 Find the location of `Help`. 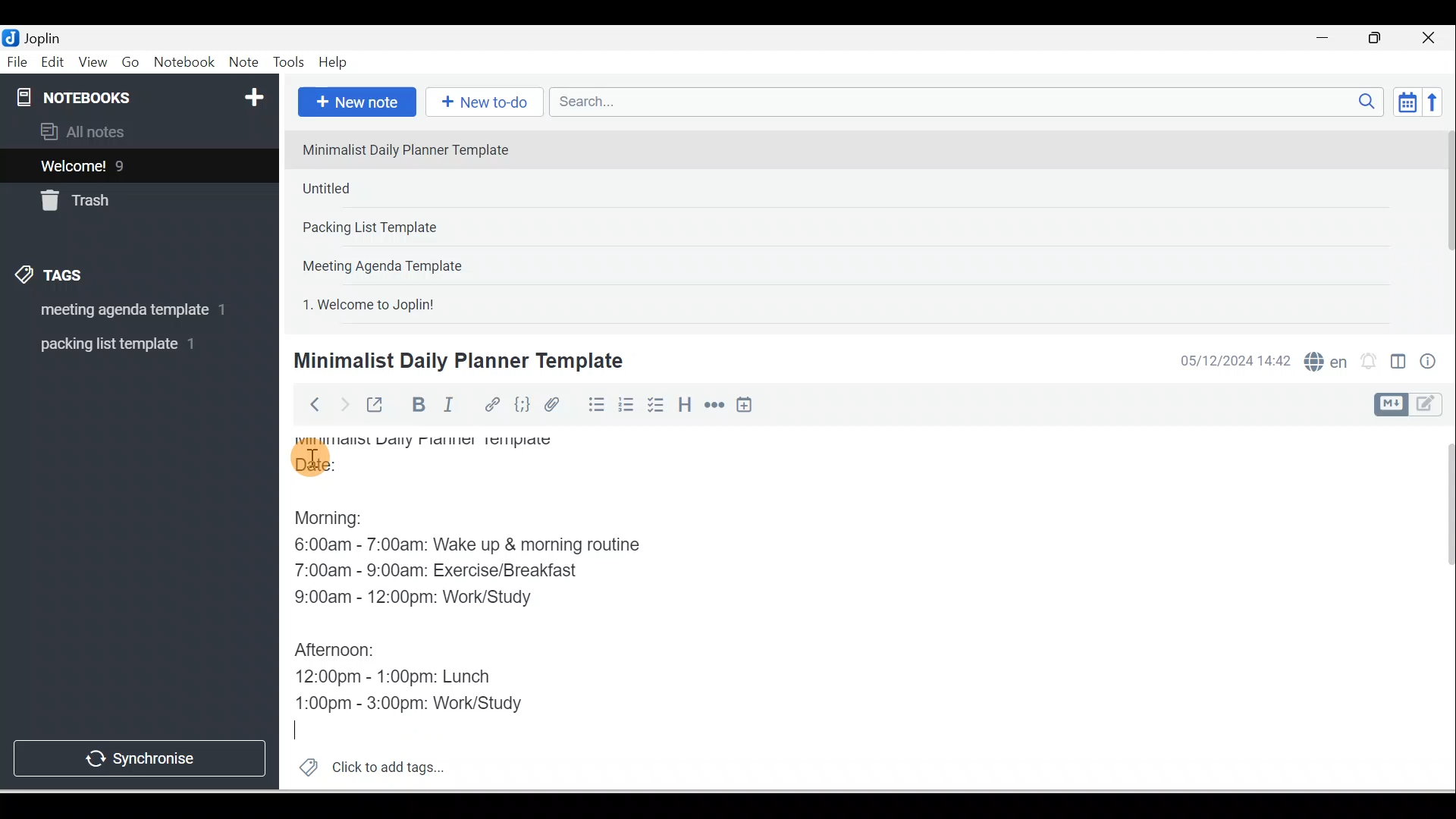

Help is located at coordinates (334, 63).